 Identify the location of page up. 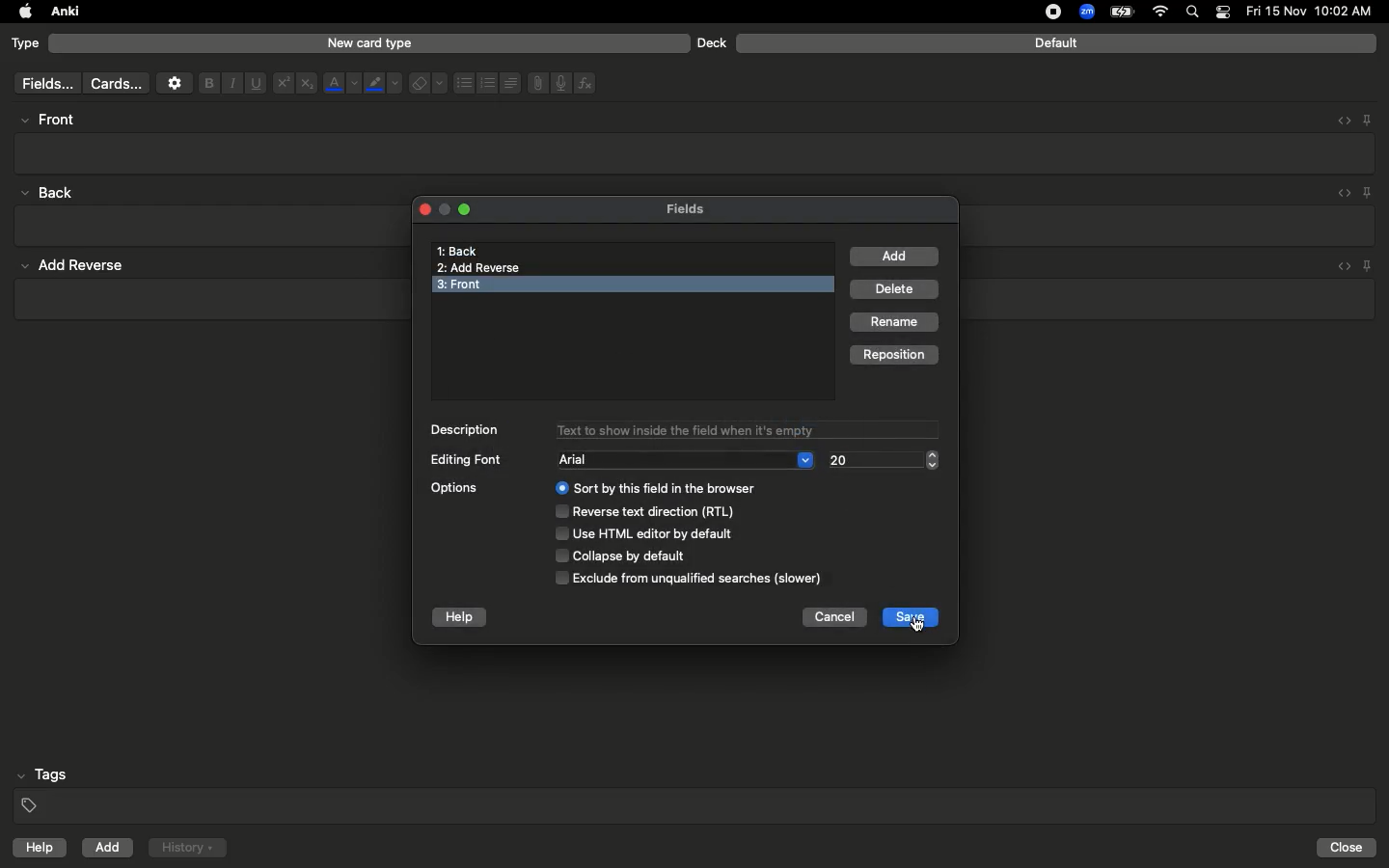
(934, 452).